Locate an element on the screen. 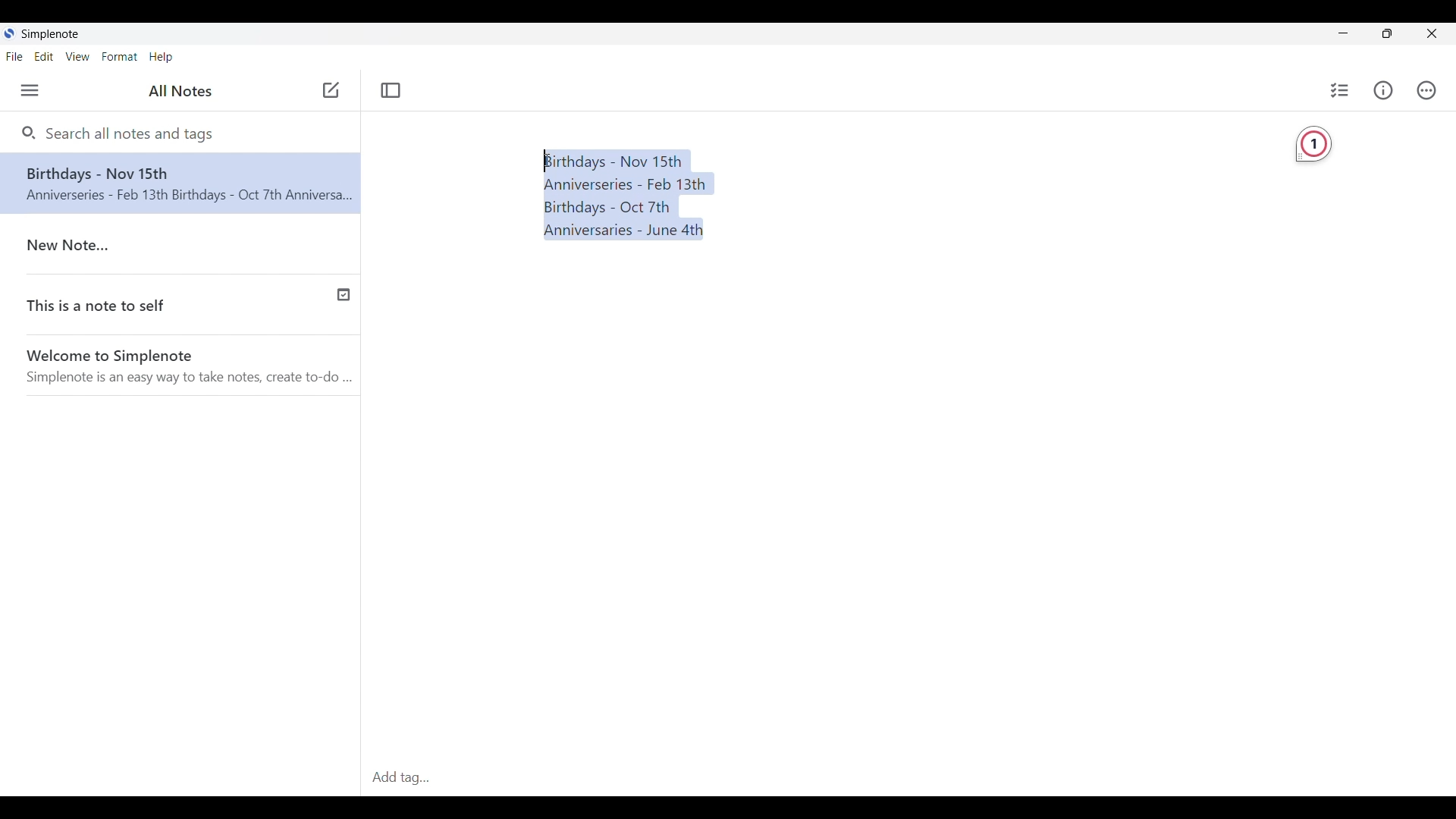 Image resolution: width=1456 pixels, height=819 pixels. Note text changed is located at coordinates (180, 184).